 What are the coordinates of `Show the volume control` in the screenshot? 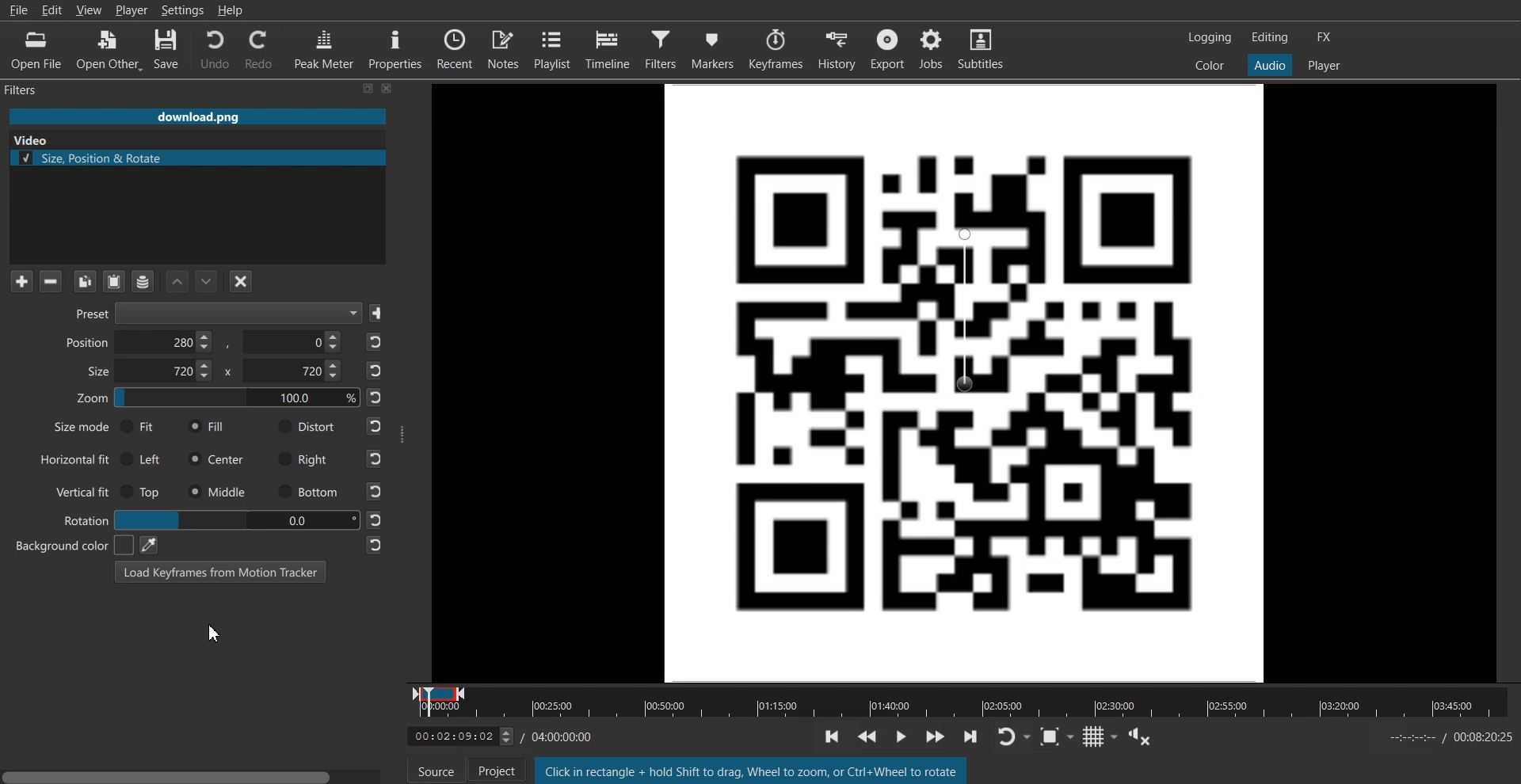 It's located at (1146, 739).